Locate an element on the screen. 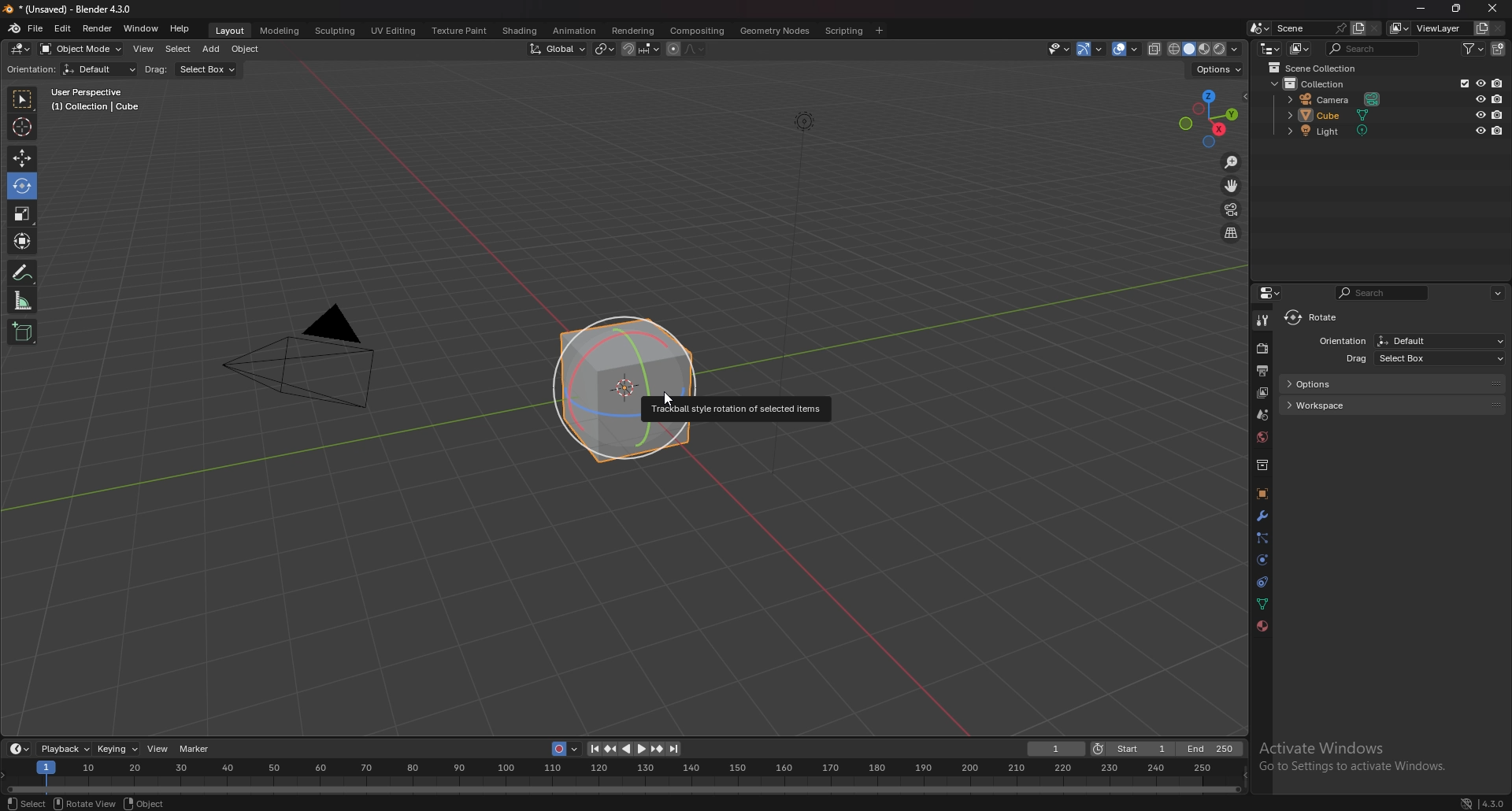 The image size is (1512, 811). workspace is located at coordinates (1398, 405).